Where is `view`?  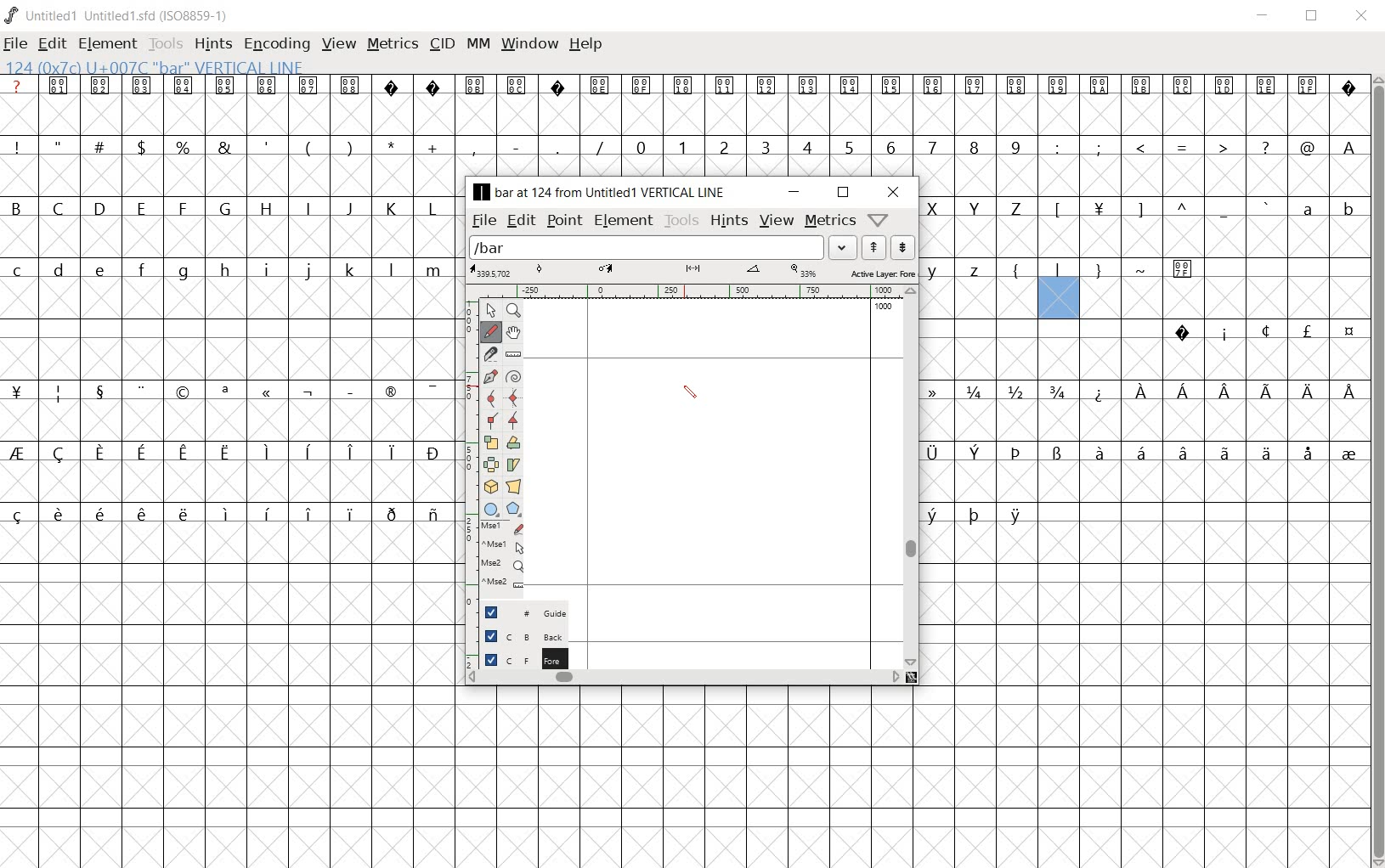
view is located at coordinates (339, 42).